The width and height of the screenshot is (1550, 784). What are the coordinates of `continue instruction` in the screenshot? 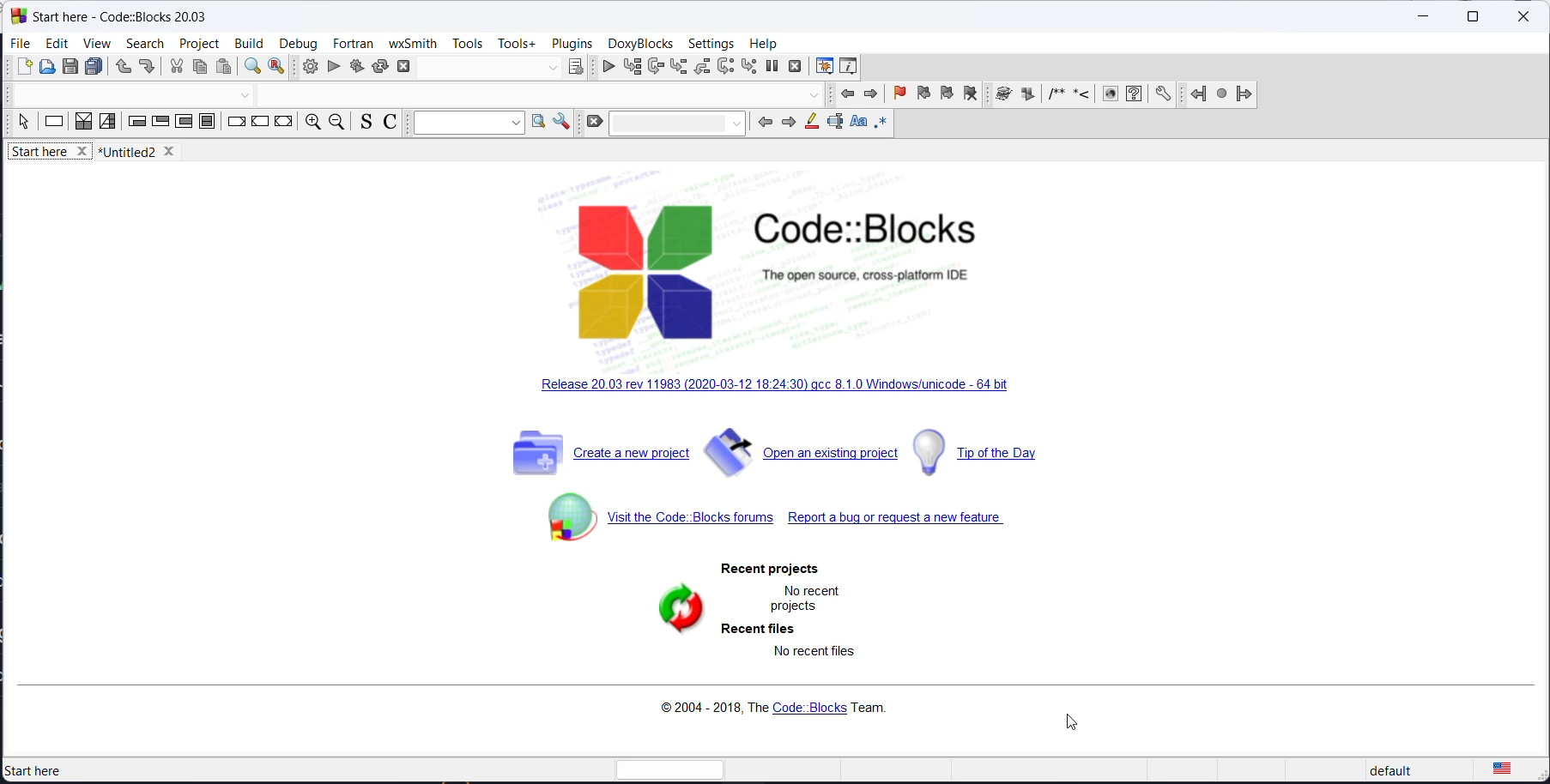 It's located at (260, 124).